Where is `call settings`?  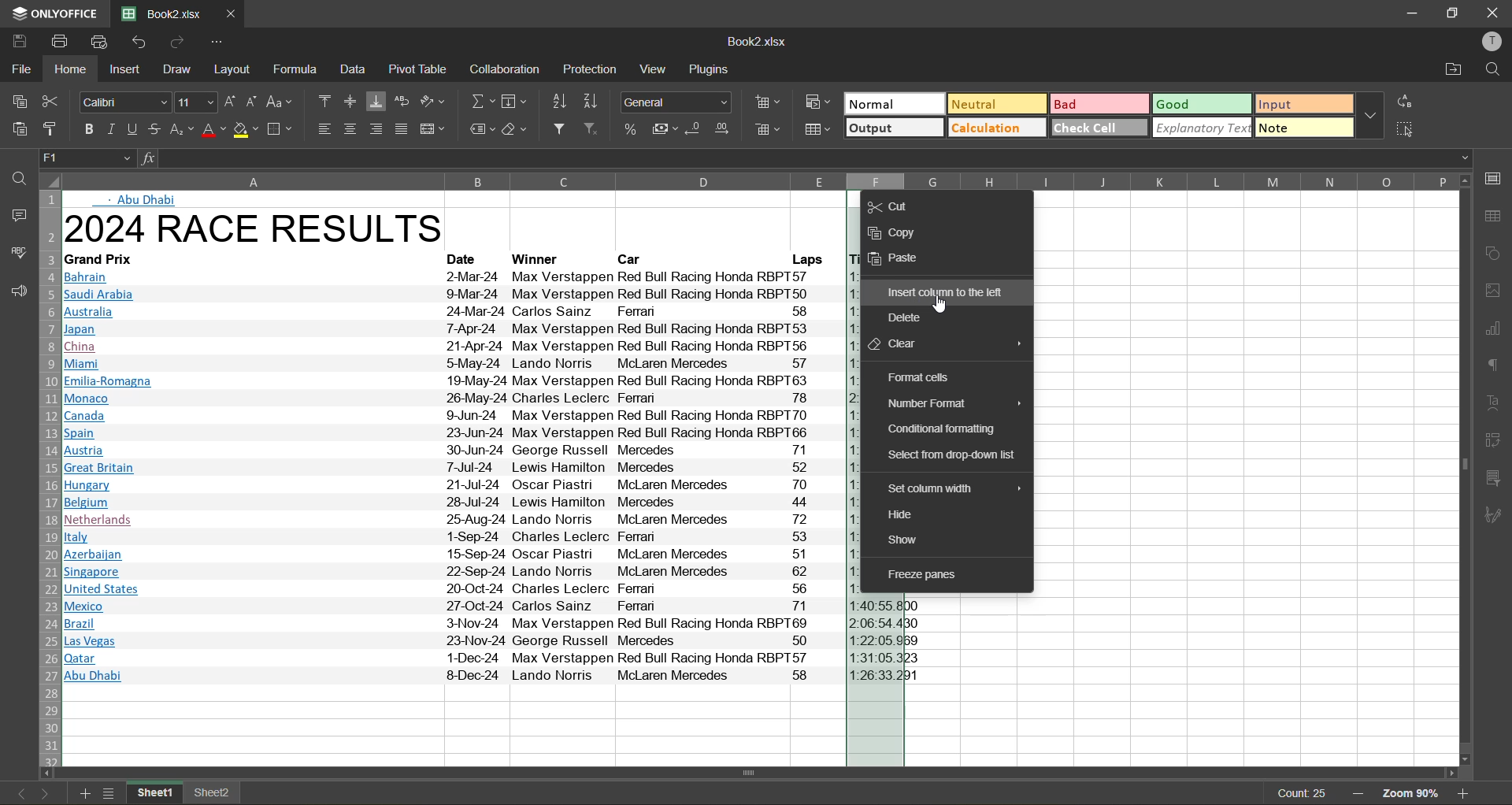
call settings is located at coordinates (1498, 177).